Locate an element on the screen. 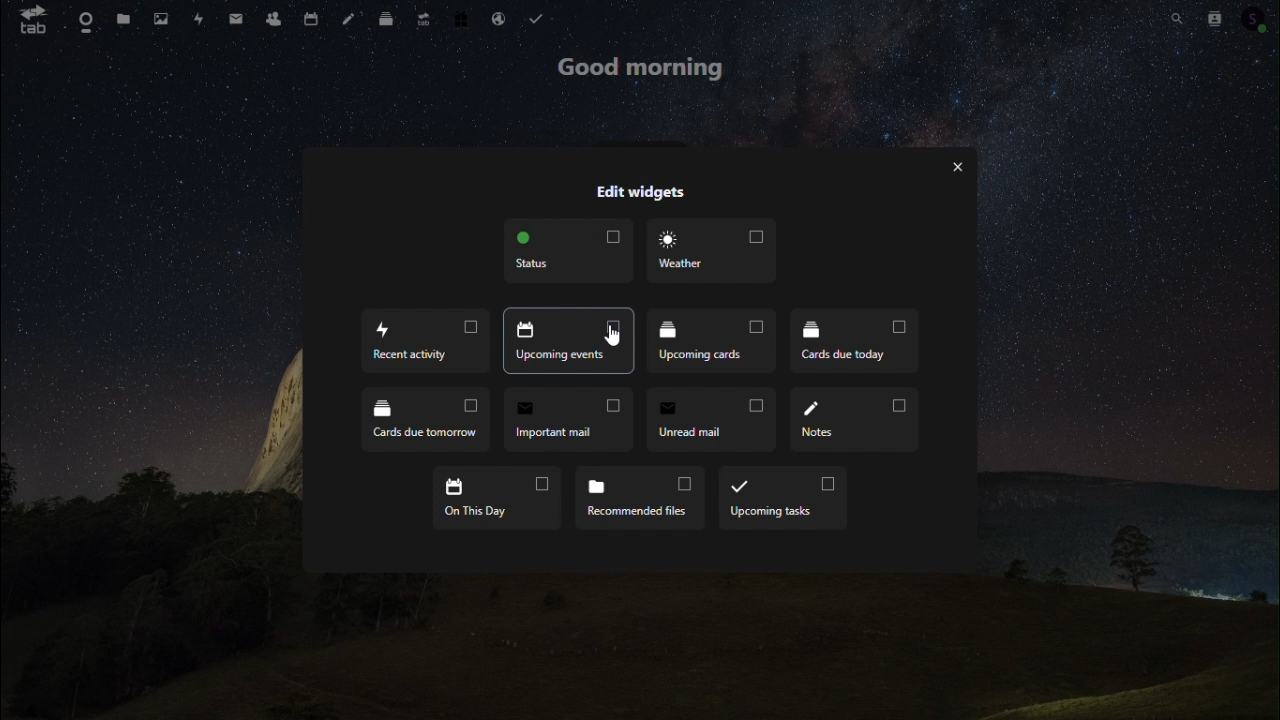 Image resolution: width=1280 pixels, height=720 pixels. Recent activity is located at coordinates (423, 340).